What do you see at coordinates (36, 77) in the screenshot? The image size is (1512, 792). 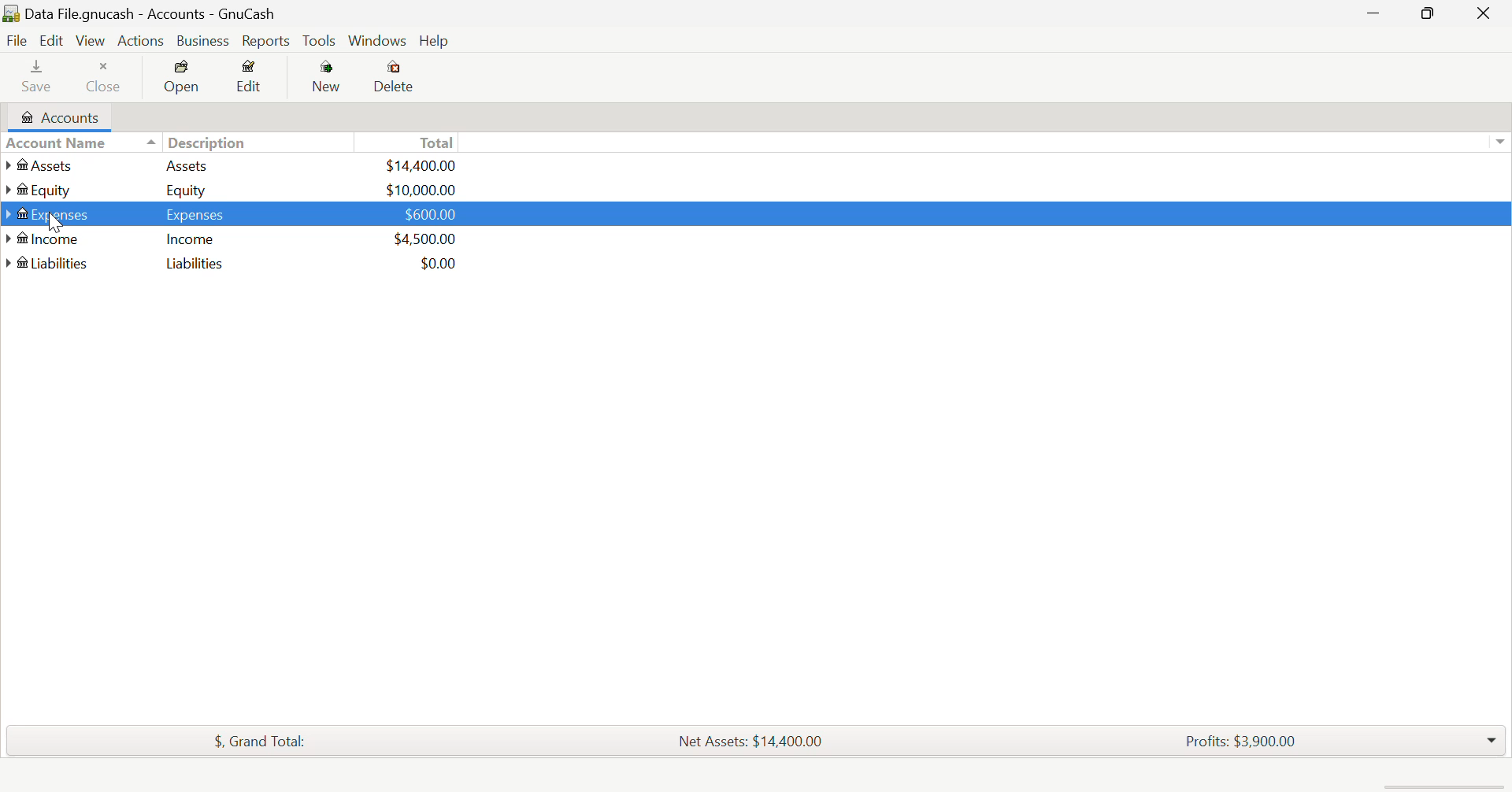 I see `Save` at bounding box center [36, 77].